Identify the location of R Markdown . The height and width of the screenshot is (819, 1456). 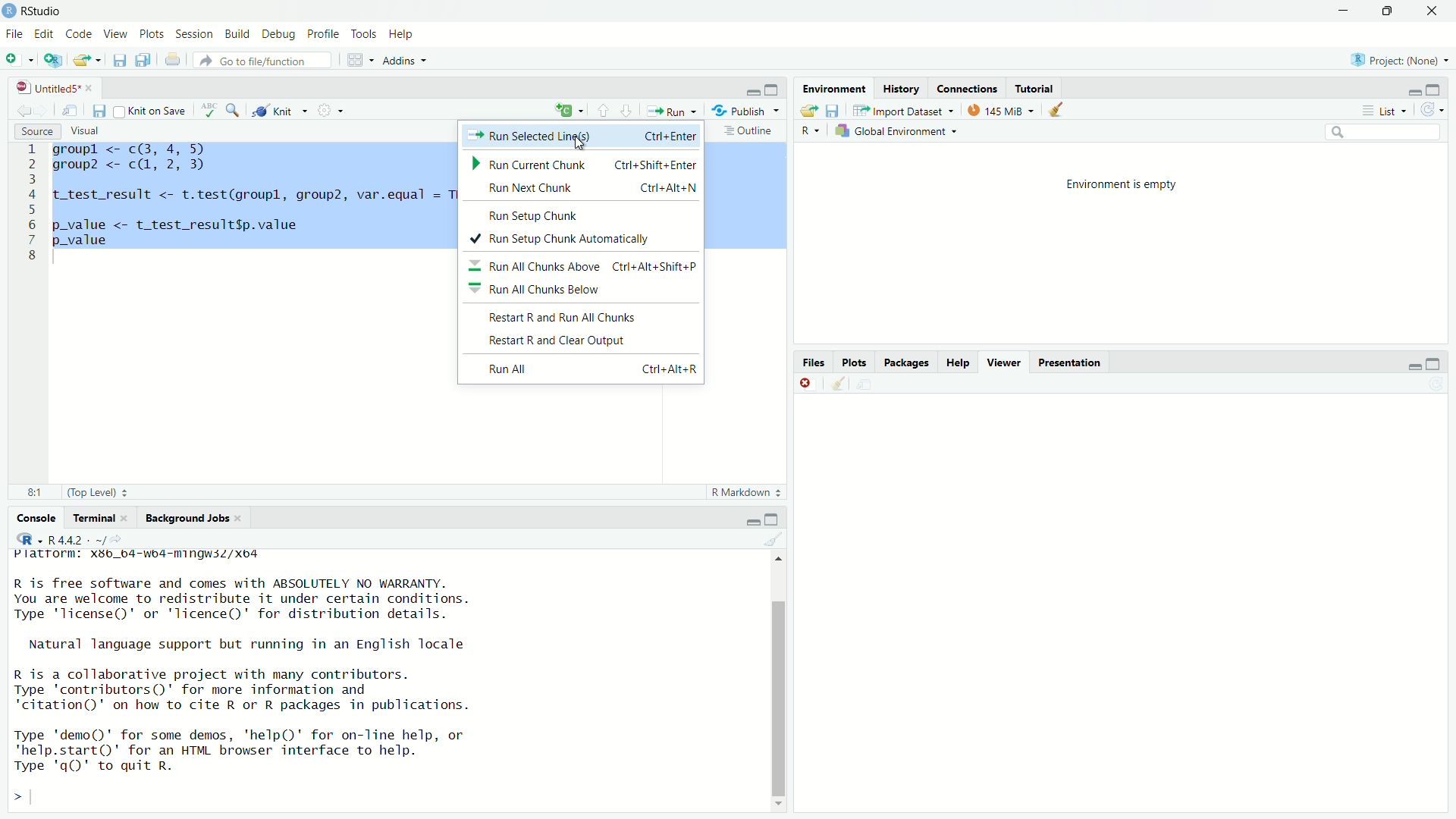
(745, 493).